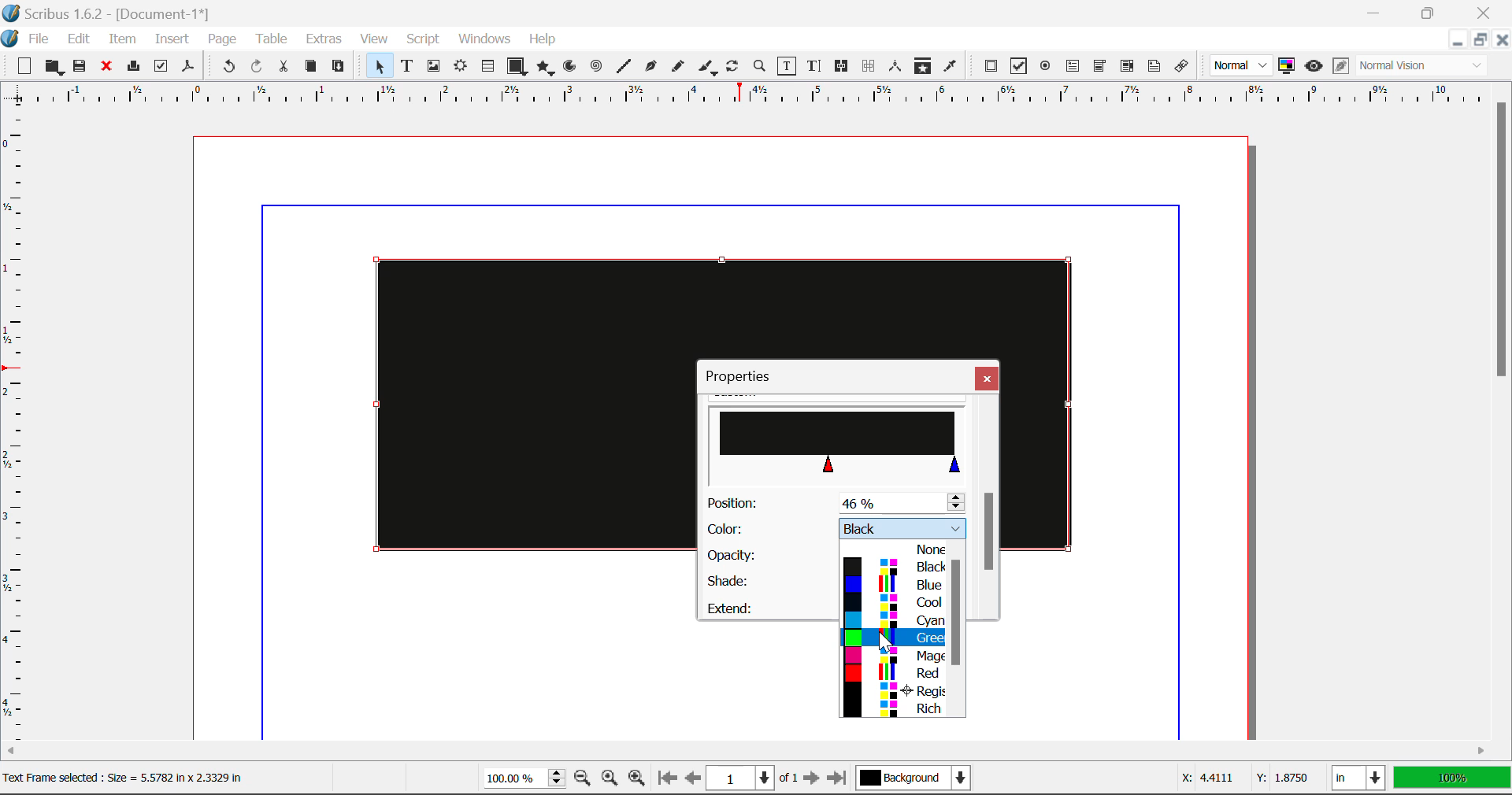  What do you see at coordinates (123, 41) in the screenshot?
I see `Item` at bounding box center [123, 41].